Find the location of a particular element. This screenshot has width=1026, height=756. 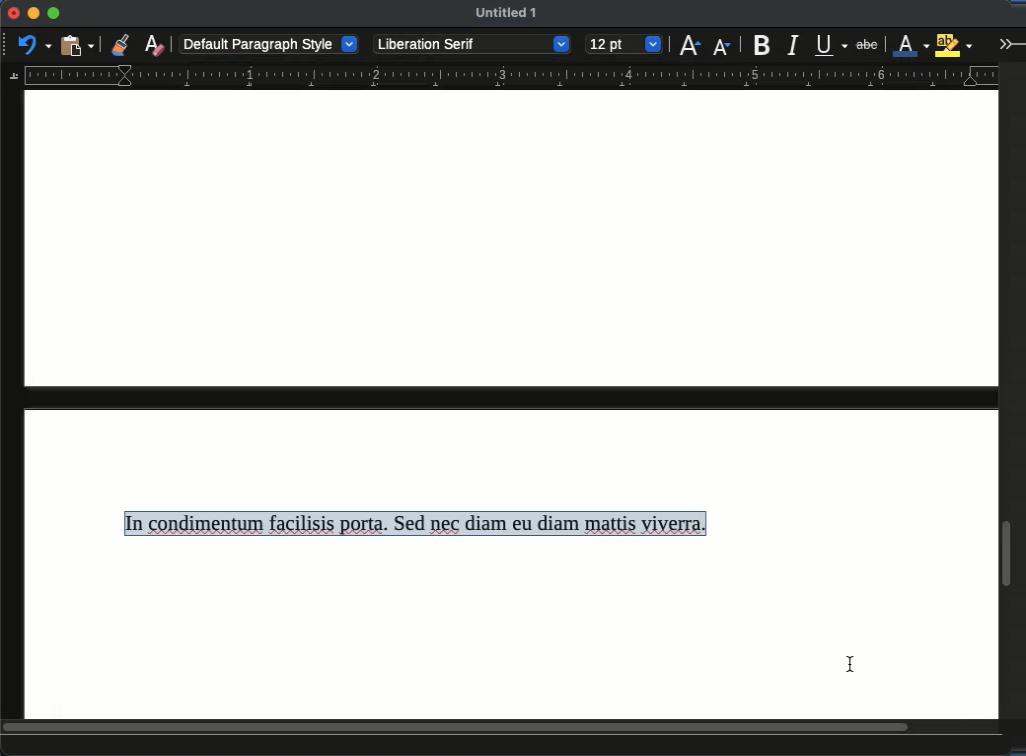

guide is located at coordinates (500, 77).